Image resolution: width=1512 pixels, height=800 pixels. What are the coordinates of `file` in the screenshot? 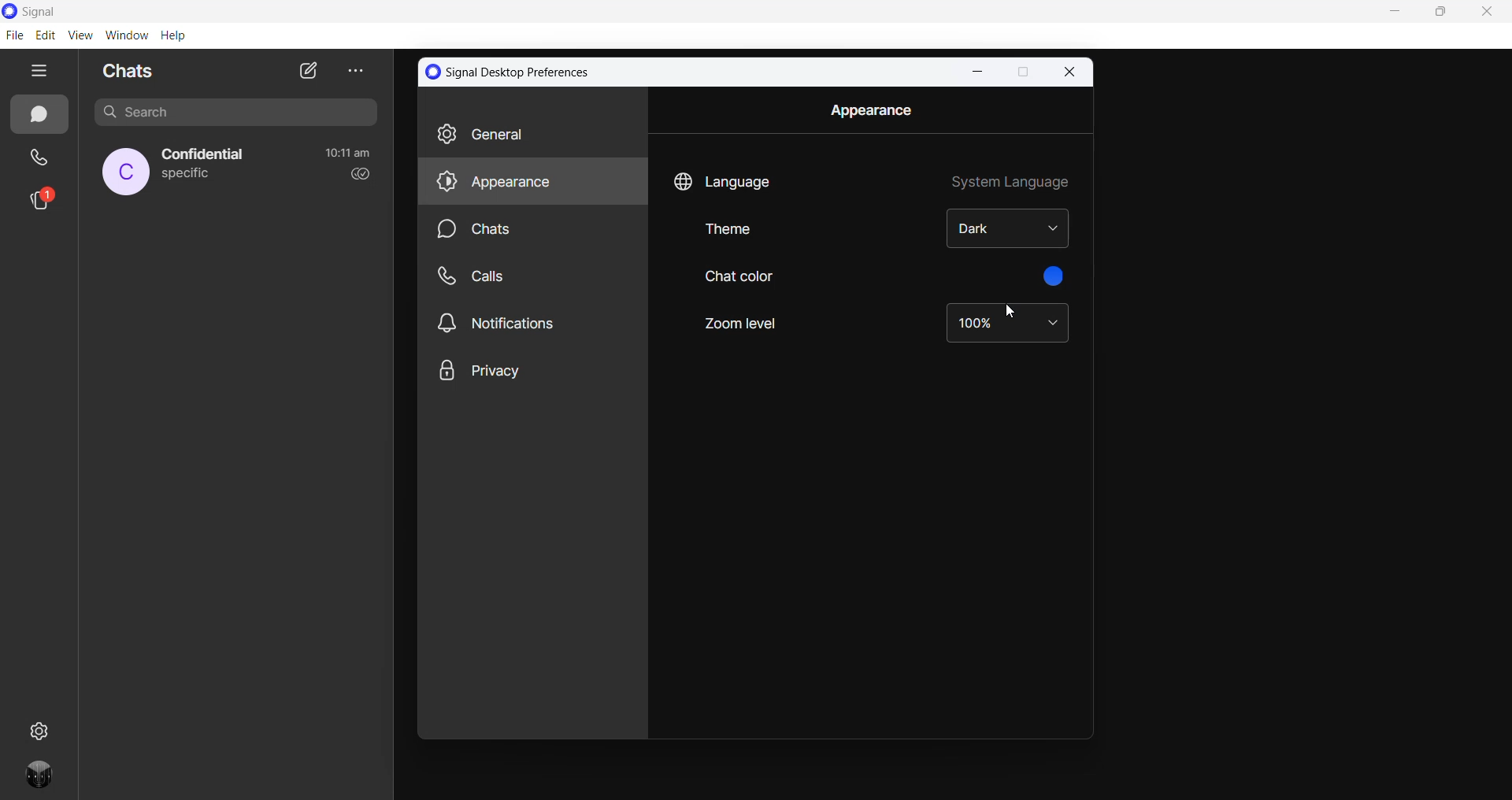 It's located at (14, 35).